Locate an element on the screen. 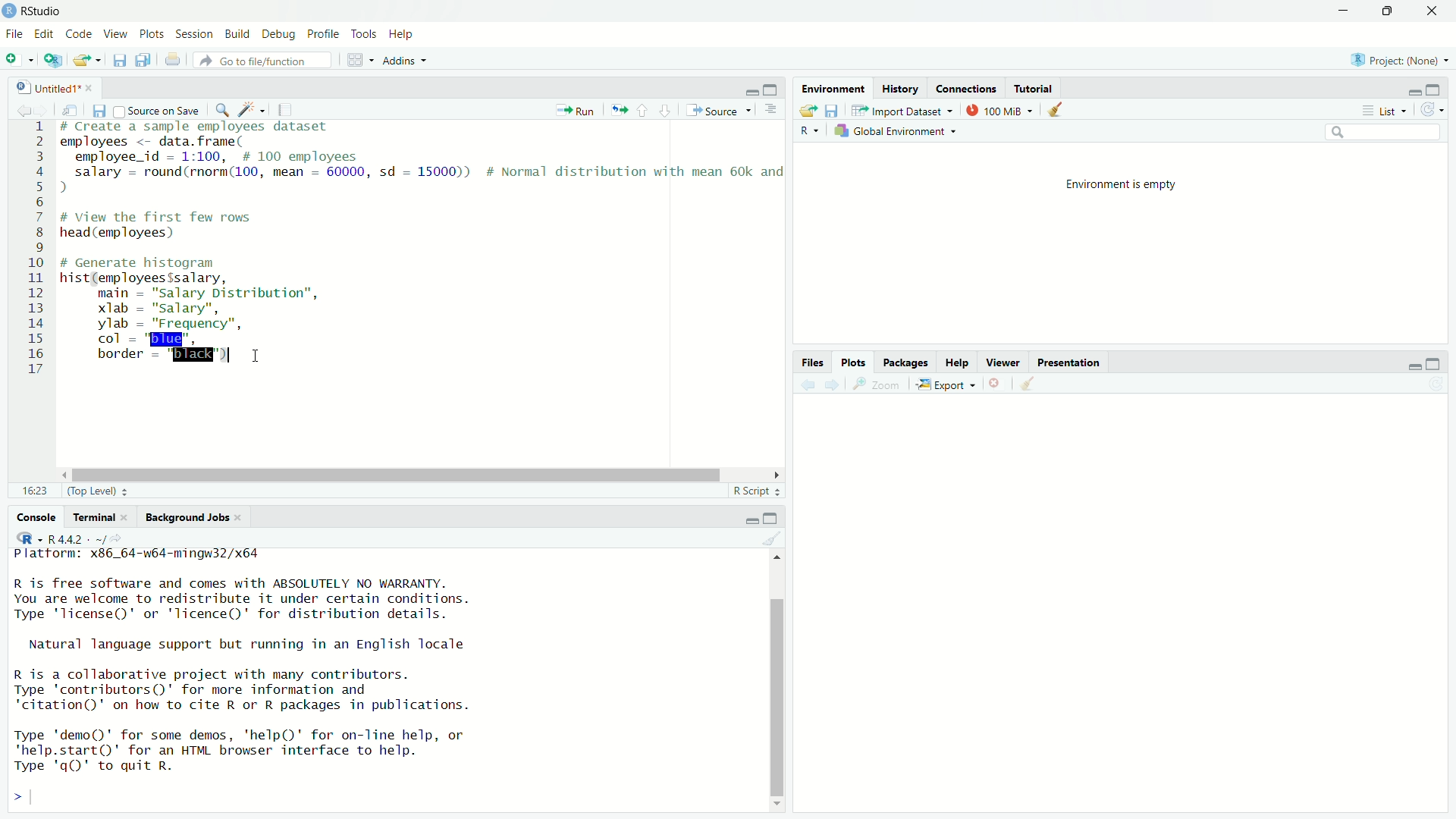  # Generate histogram hist(employees$salary, main = "salary Distribution”, xlab = "salary", ylab = "Frequency", col = "blue", border = "black") is located at coordinates (197, 313).